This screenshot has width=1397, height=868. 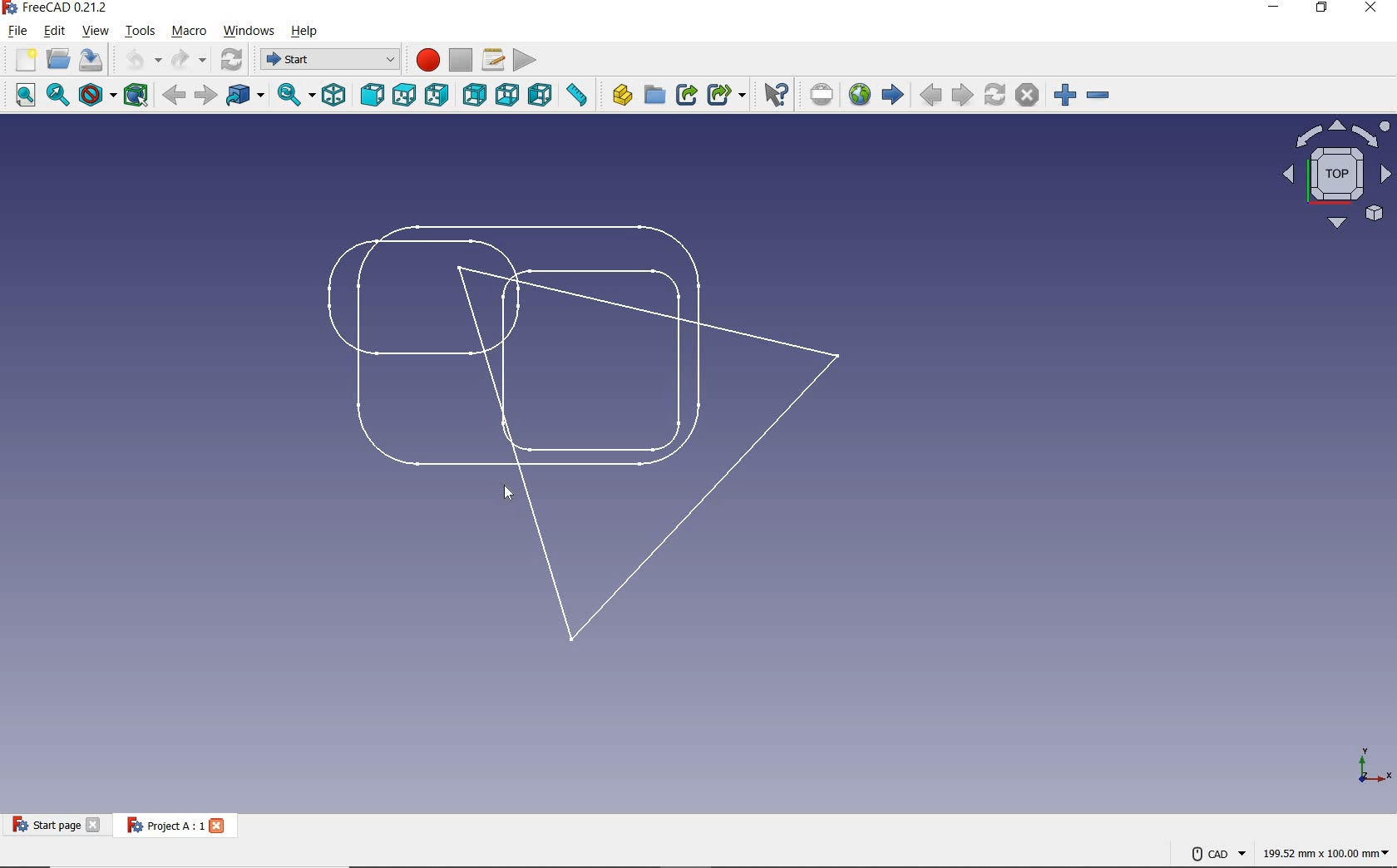 What do you see at coordinates (726, 96) in the screenshot?
I see `MAKE SUB-LINK` at bounding box center [726, 96].